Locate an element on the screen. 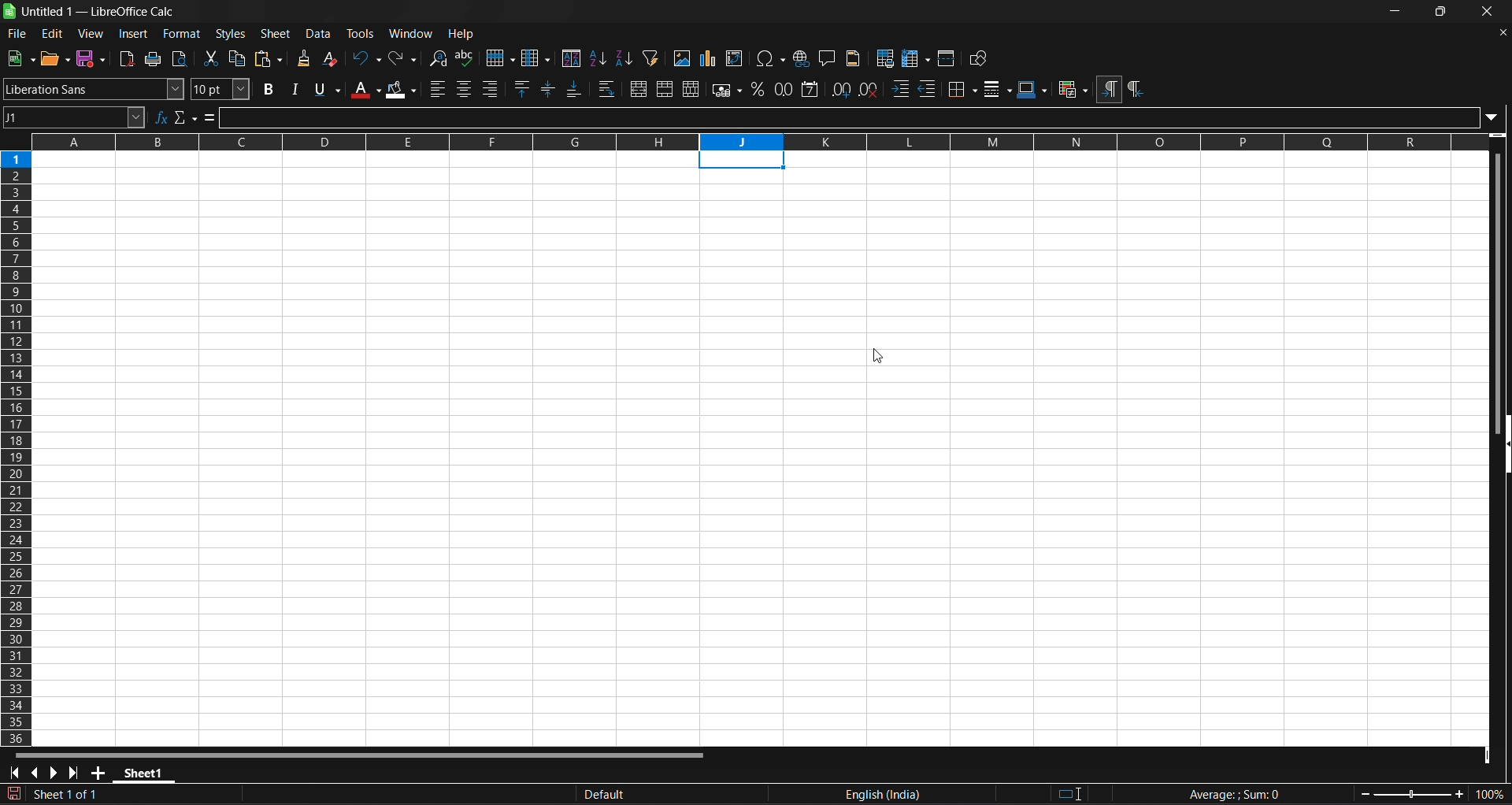 Image resolution: width=1512 pixels, height=805 pixels. cut is located at coordinates (210, 57).